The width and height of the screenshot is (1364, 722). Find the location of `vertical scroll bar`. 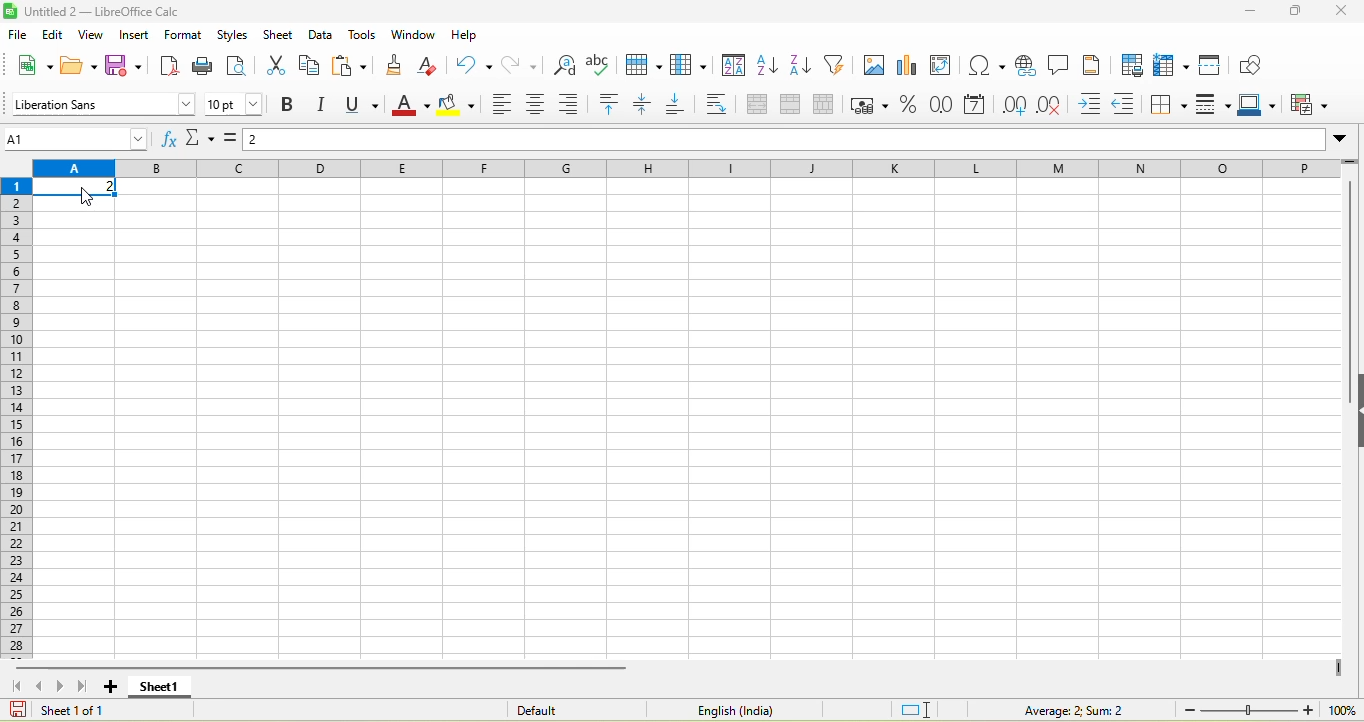

vertical scroll bar is located at coordinates (1354, 274).